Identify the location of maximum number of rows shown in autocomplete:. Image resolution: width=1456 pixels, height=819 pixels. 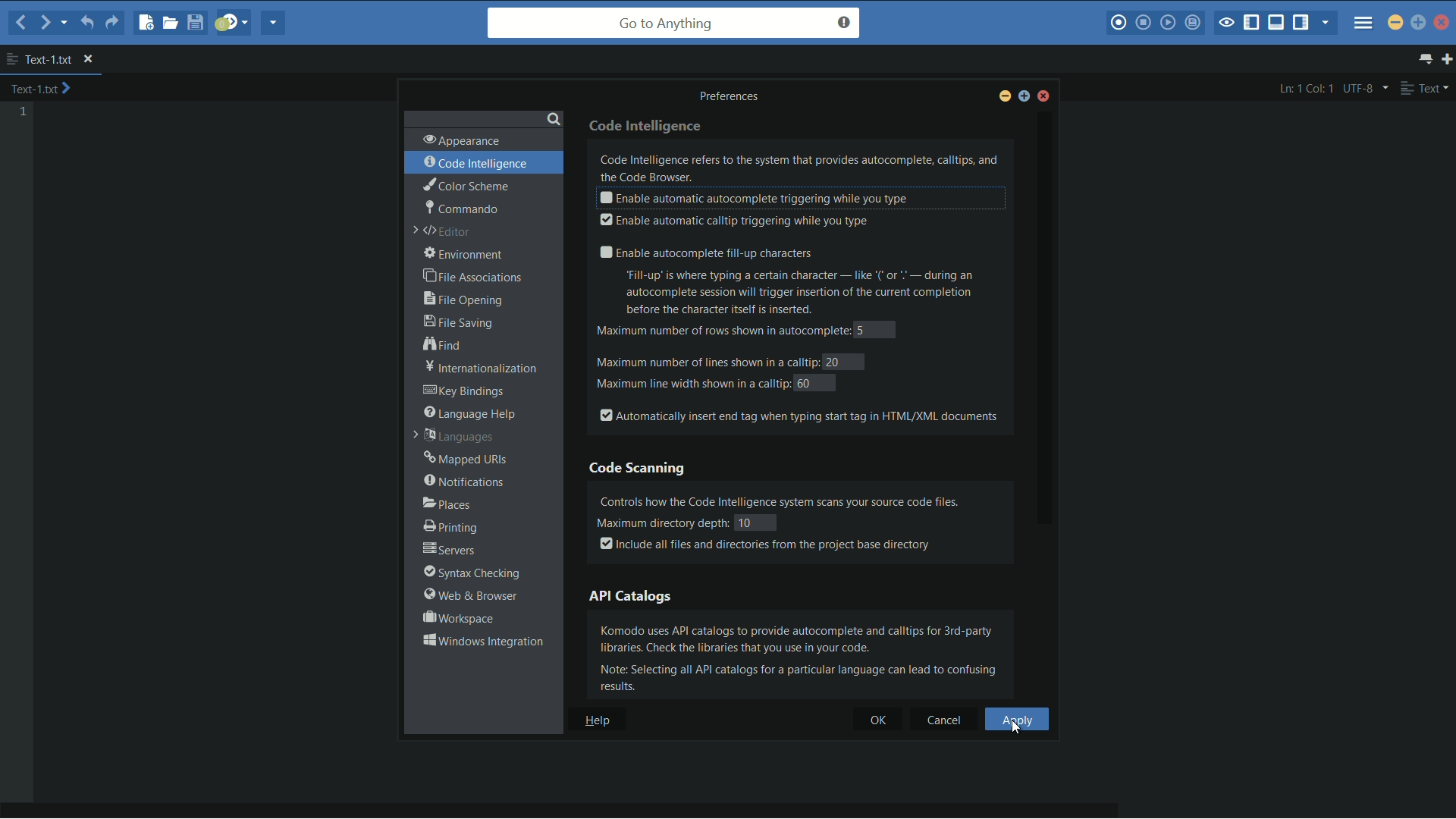
(720, 332).